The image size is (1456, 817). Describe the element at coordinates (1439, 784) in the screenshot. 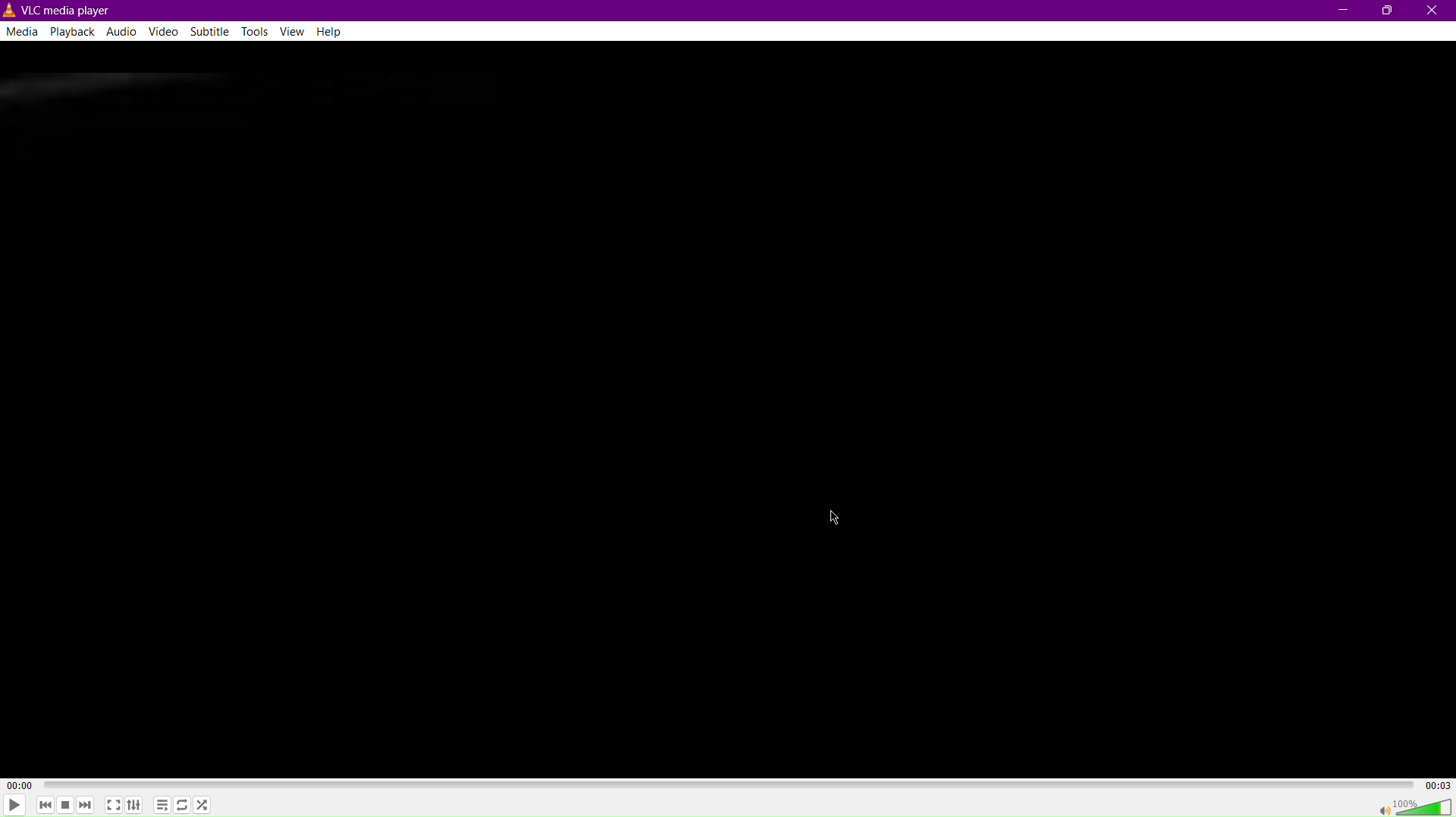

I see `Total/Remaining time` at that location.